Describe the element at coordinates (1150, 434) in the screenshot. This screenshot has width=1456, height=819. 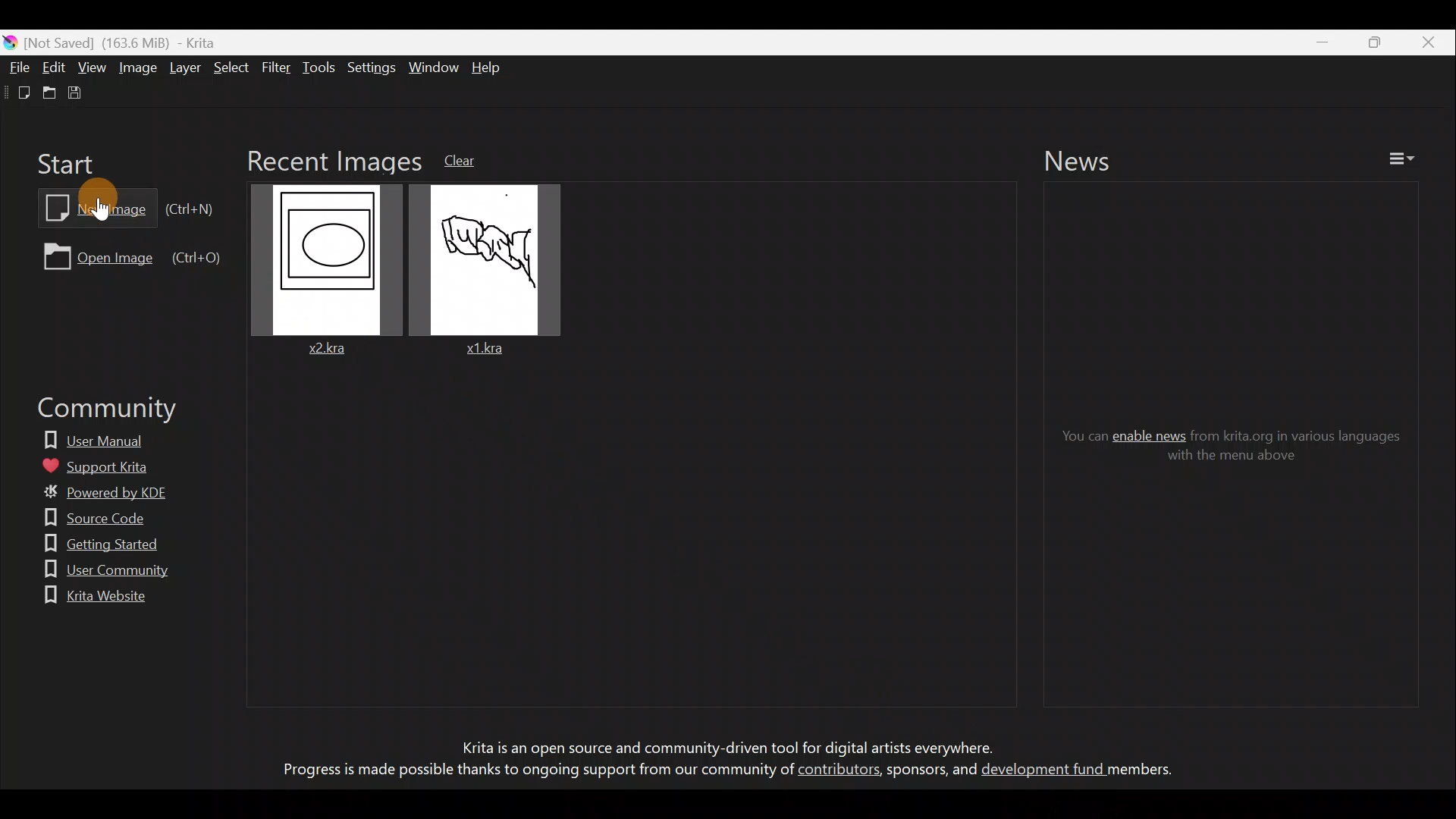
I see `enable news` at that location.